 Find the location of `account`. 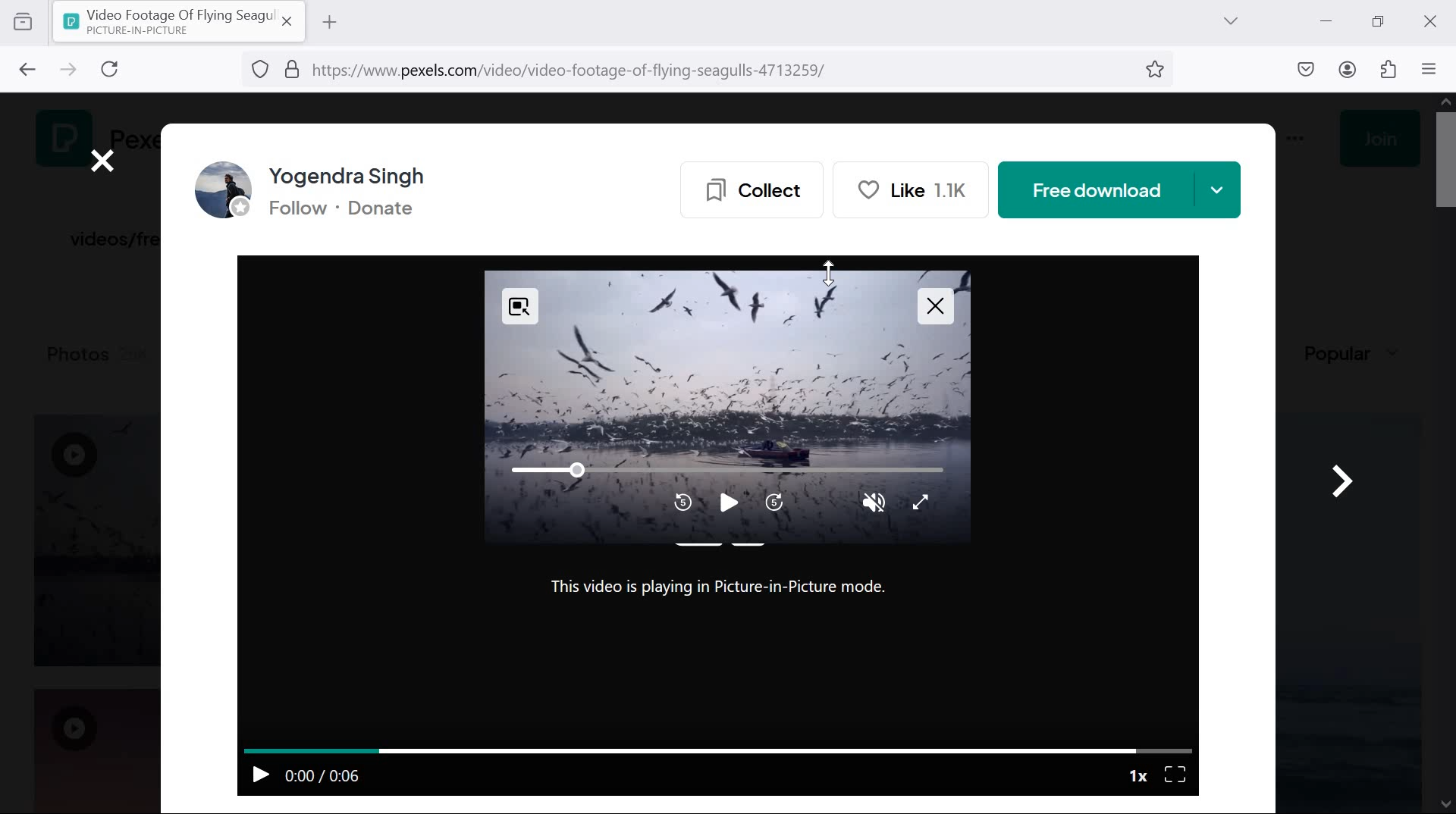

account is located at coordinates (1351, 70).